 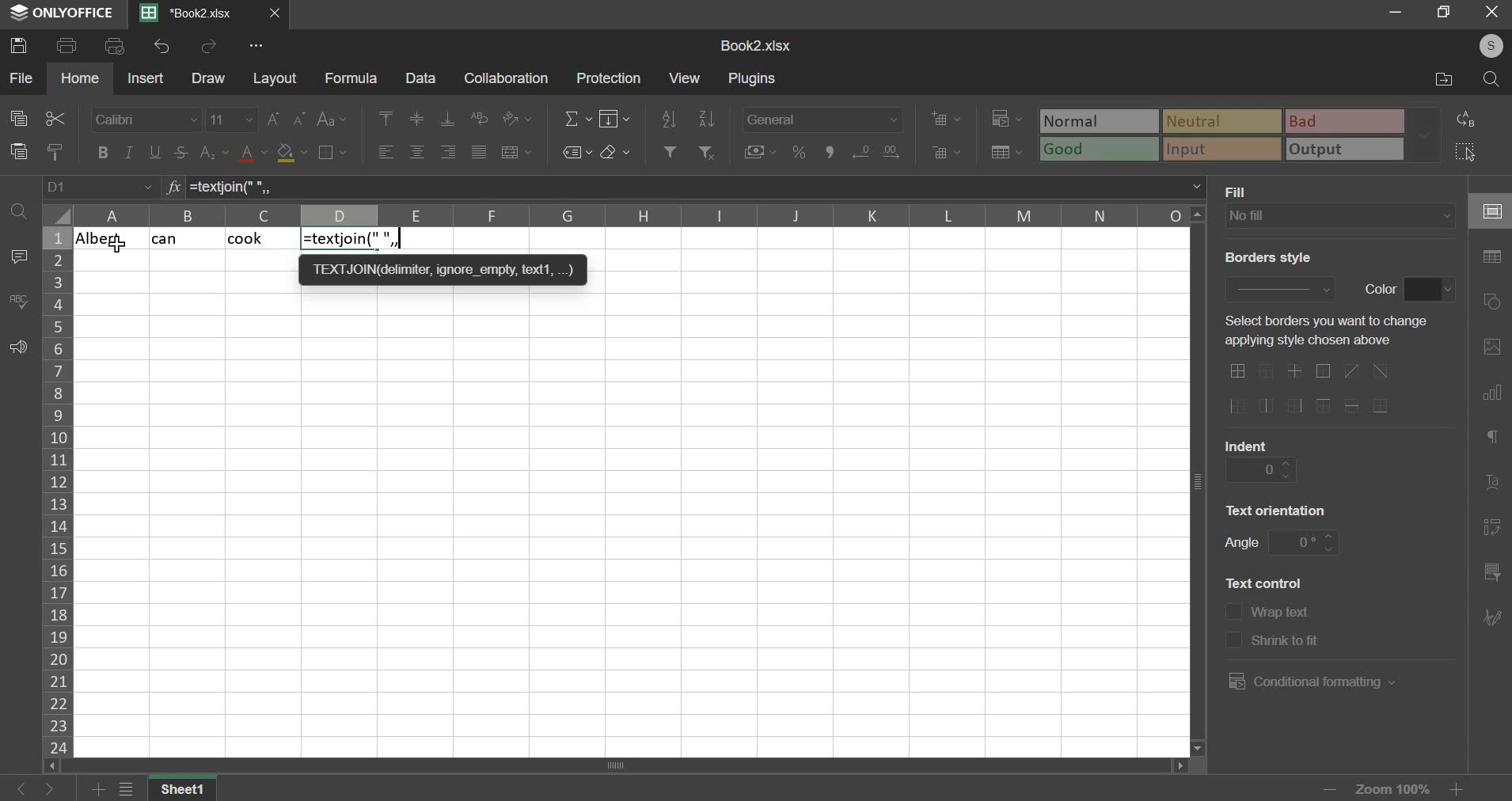 What do you see at coordinates (254, 154) in the screenshot?
I see `text color` at bounding box center [254, 154].